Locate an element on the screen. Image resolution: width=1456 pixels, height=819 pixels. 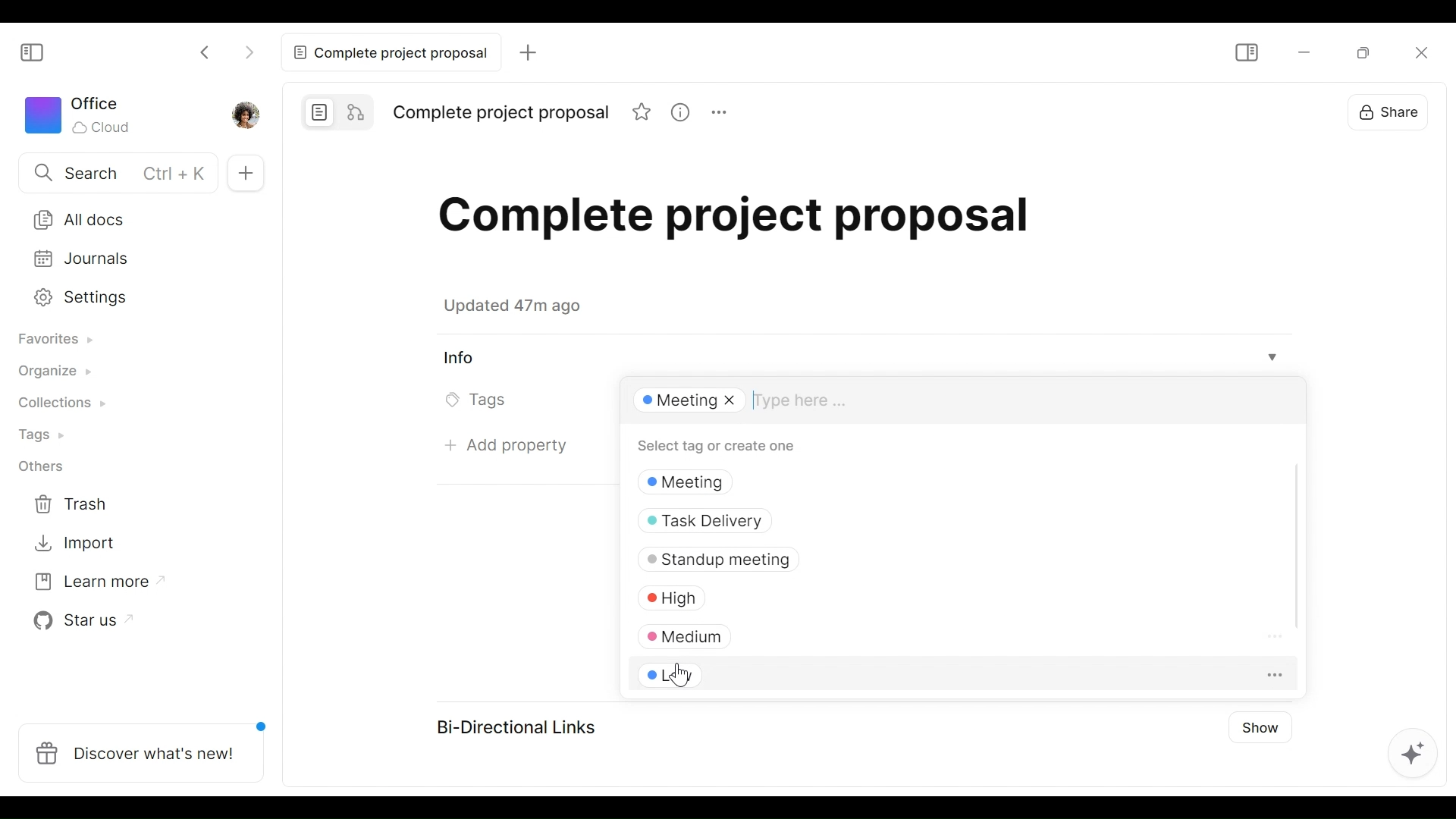
Title is located at coordinates (502, 114).